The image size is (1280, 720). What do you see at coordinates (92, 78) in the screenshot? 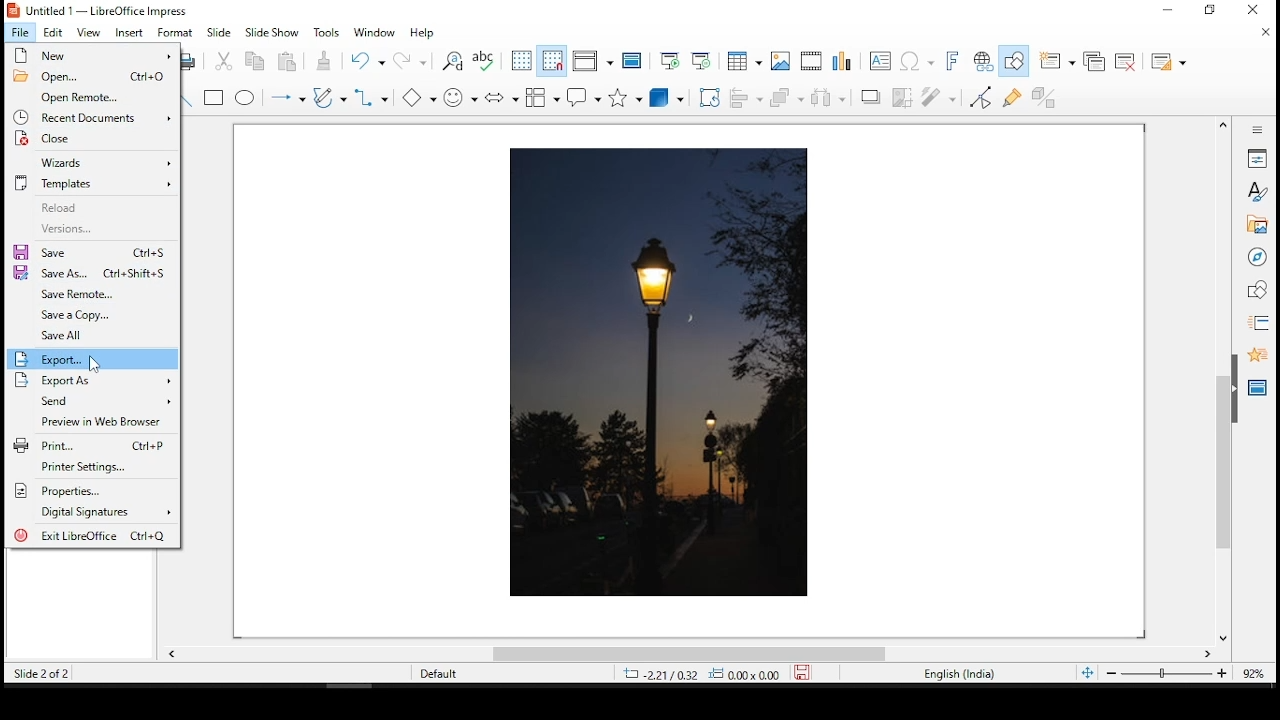
I see `open` at bounding box center [92, 78].